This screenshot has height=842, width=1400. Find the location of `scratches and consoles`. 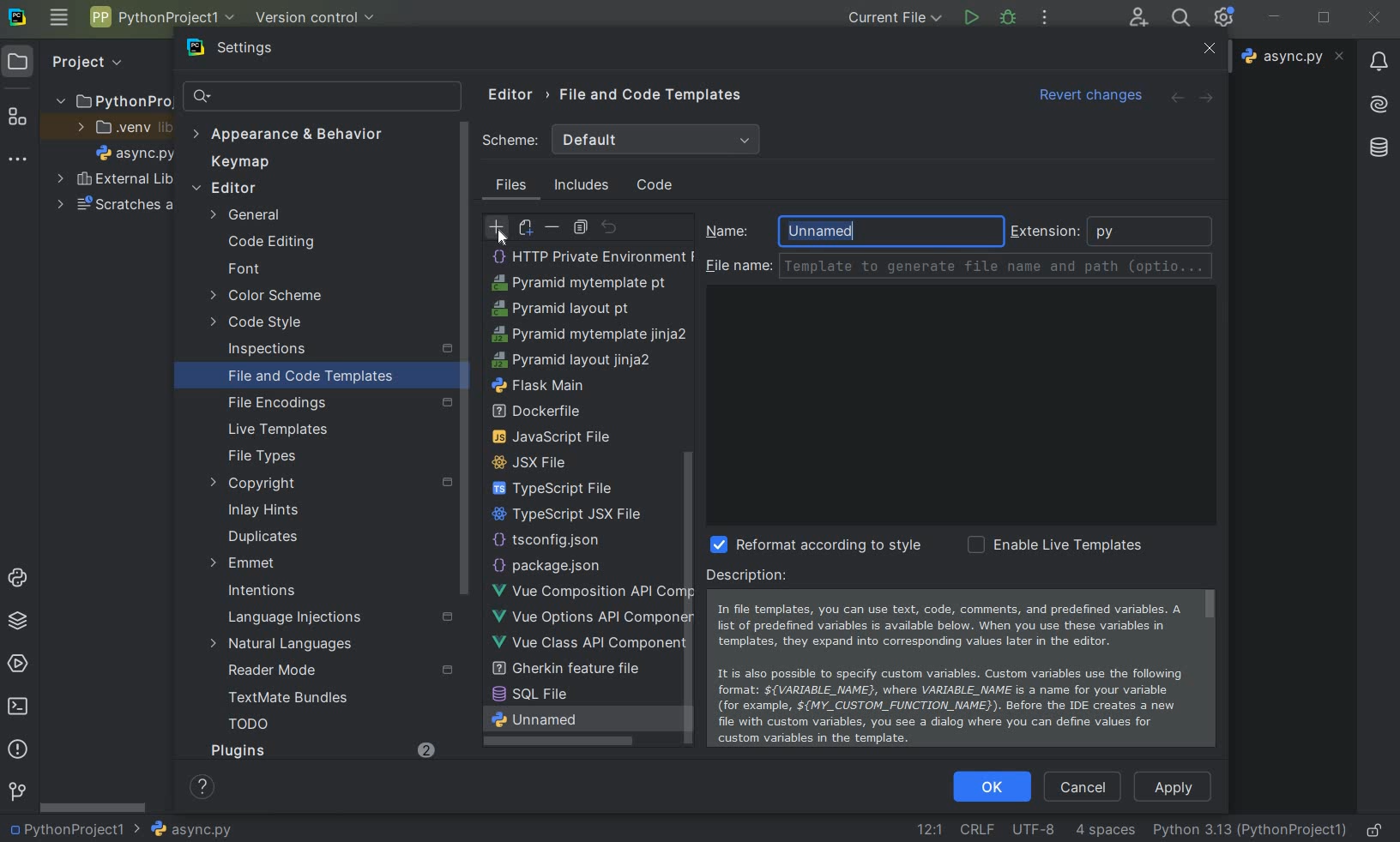

scratches and consoles is located at coordinates (125, 206).